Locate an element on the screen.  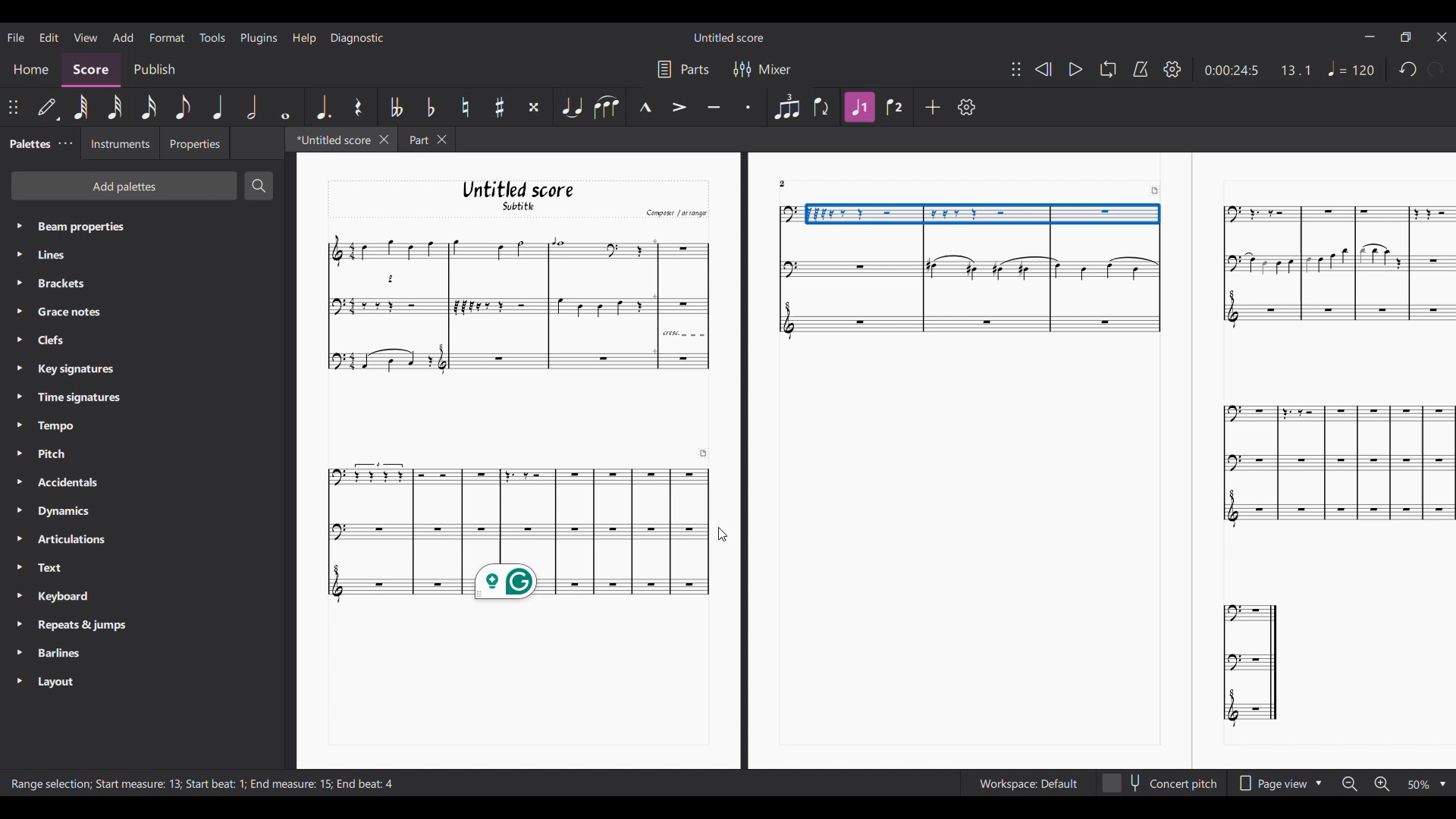
Tie is located at coordinates (572, 106).